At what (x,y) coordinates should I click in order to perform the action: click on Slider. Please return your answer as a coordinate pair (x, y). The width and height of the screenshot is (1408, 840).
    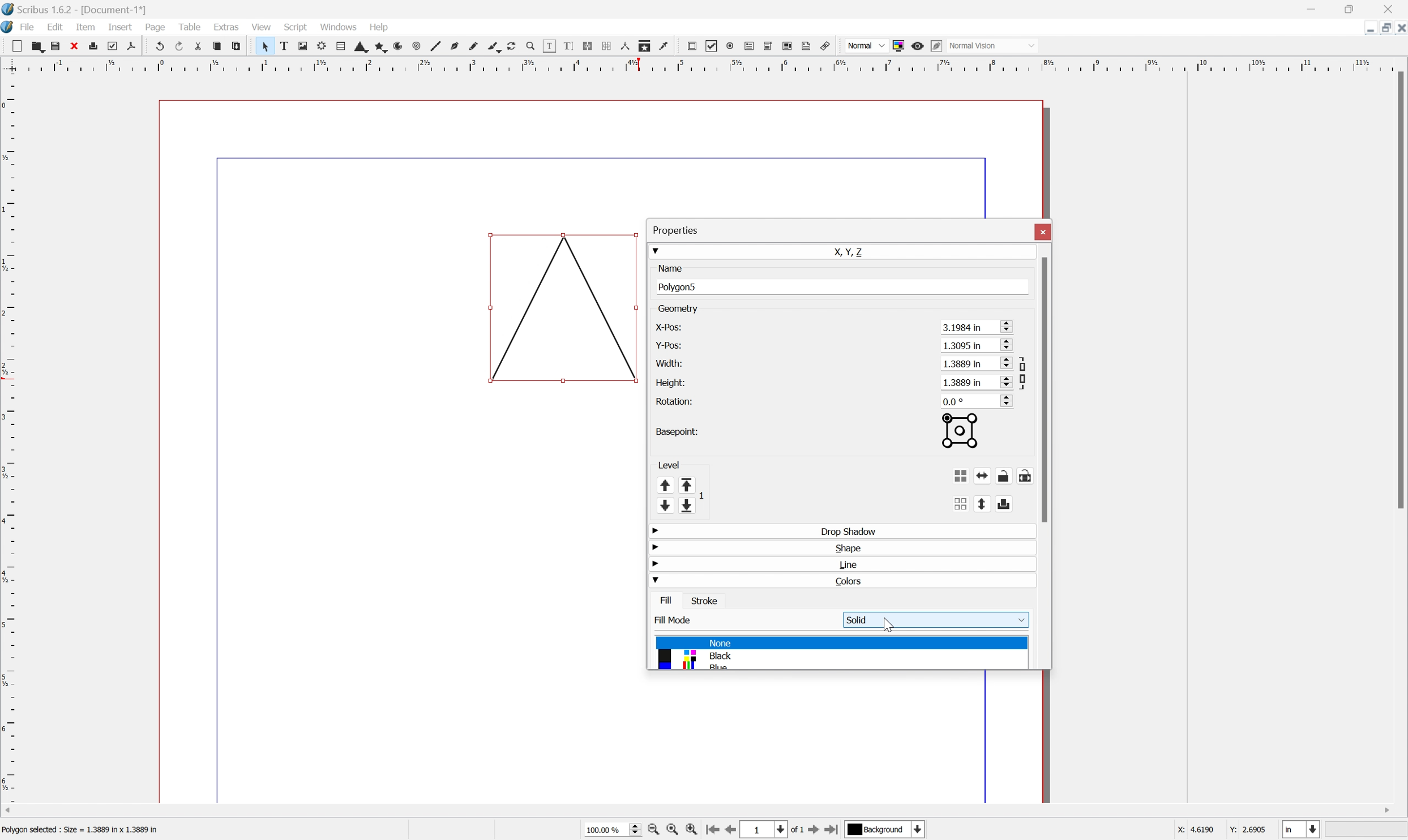
    Looking at the image, I should click on (631, 830).